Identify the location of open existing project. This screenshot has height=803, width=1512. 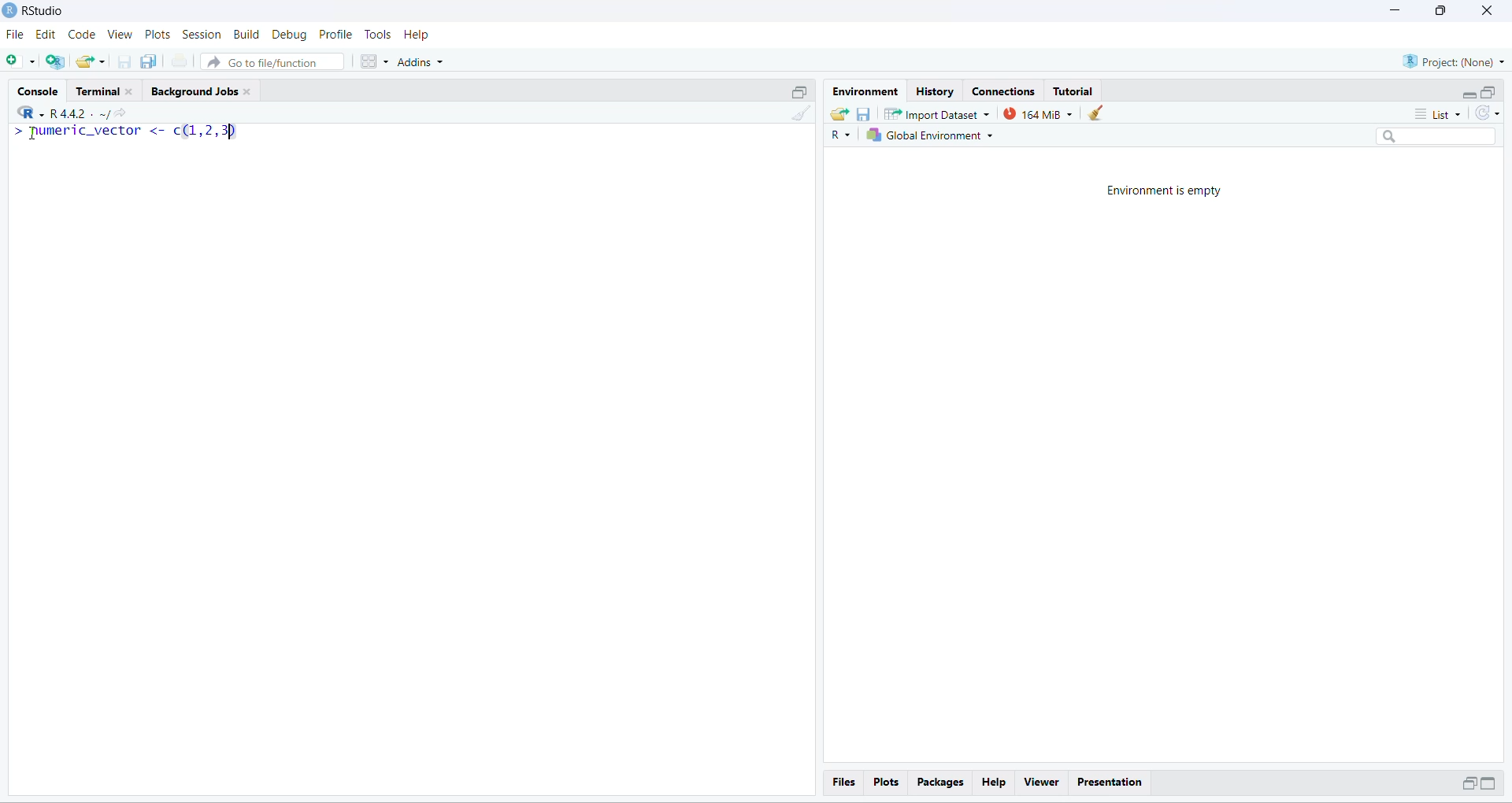
(91, 61).